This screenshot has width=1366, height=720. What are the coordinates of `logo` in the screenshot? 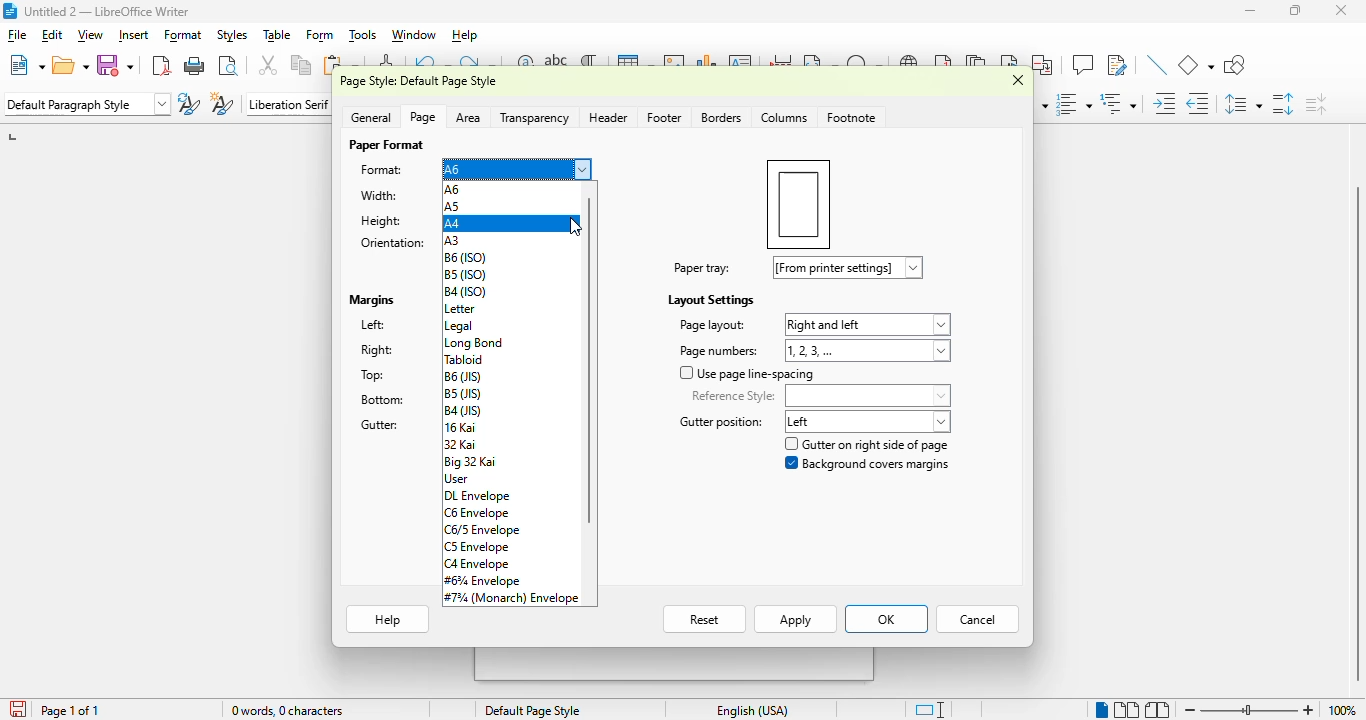 It's located at (10, 11).